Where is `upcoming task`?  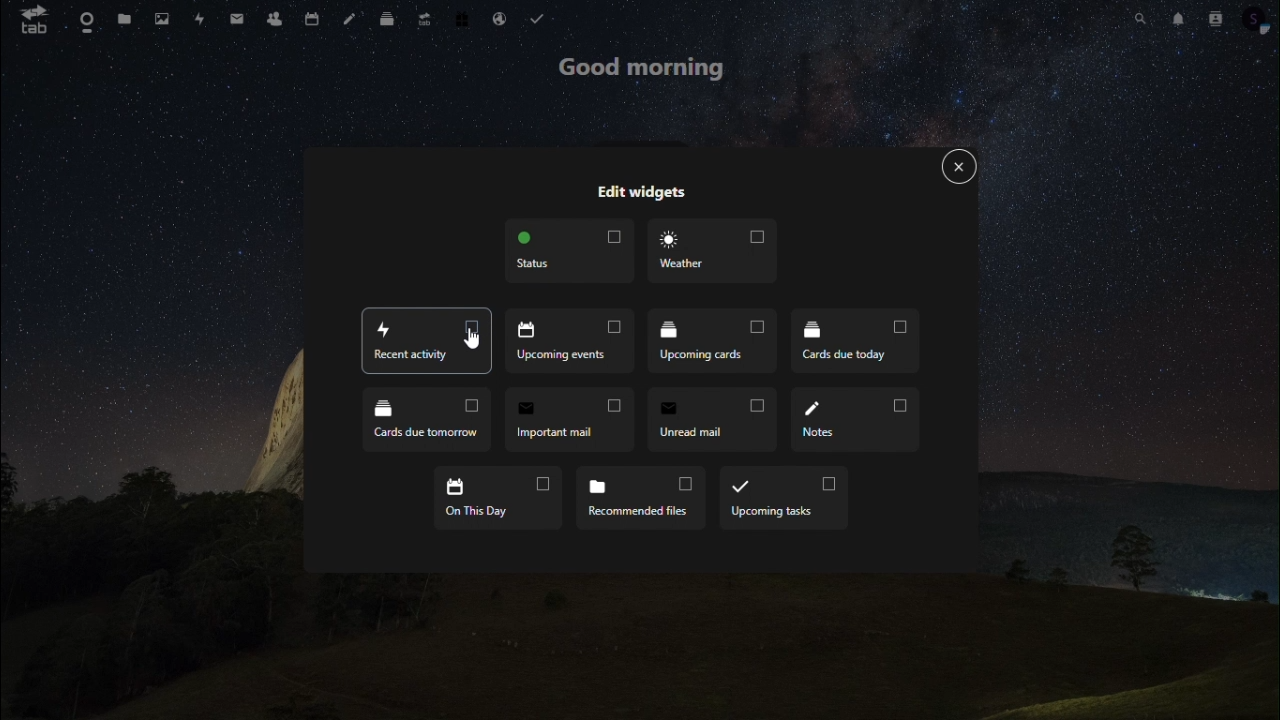 upcoming task is located at coordinates (781, 498).